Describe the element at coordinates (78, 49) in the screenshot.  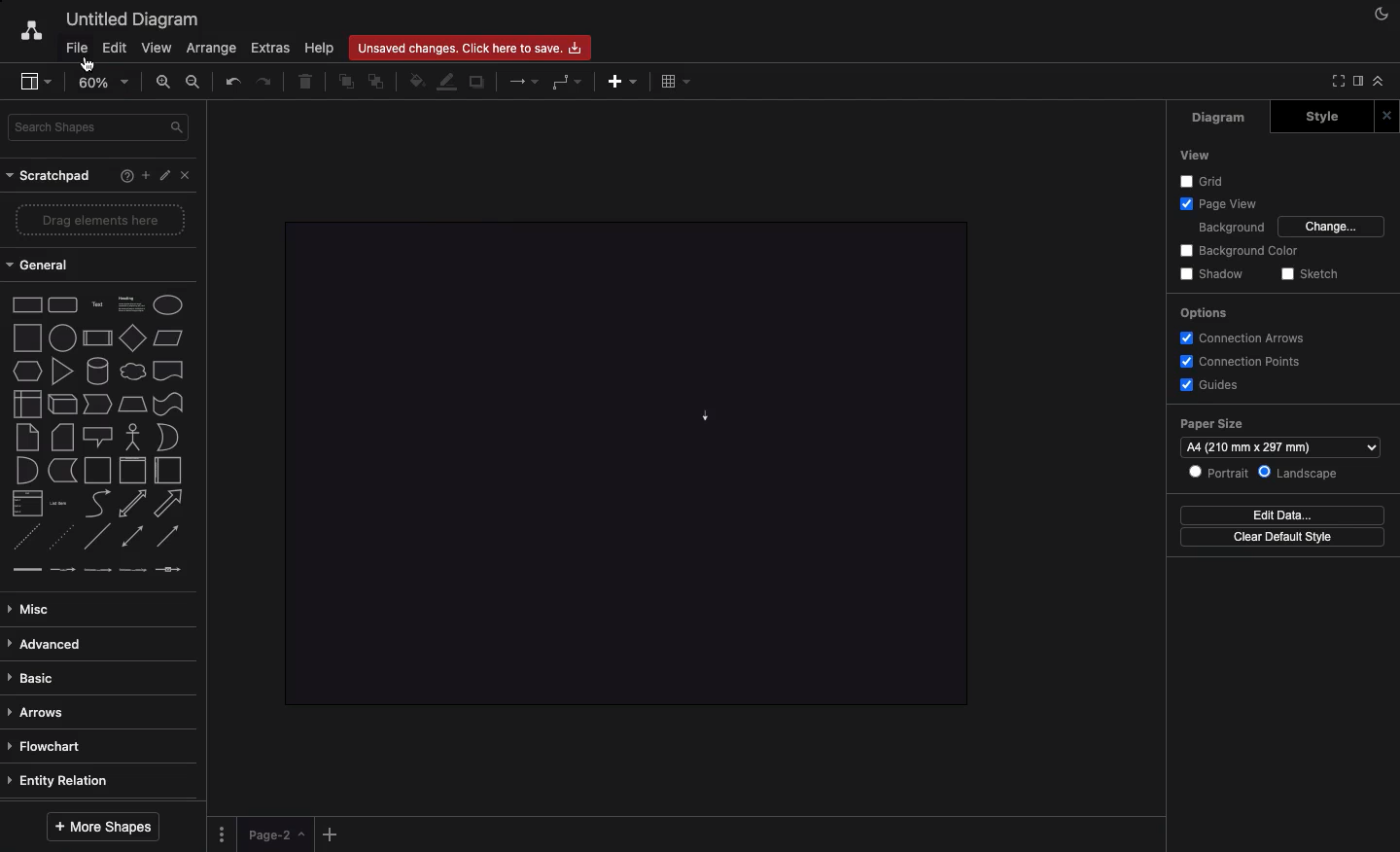
I see `File` at that location.